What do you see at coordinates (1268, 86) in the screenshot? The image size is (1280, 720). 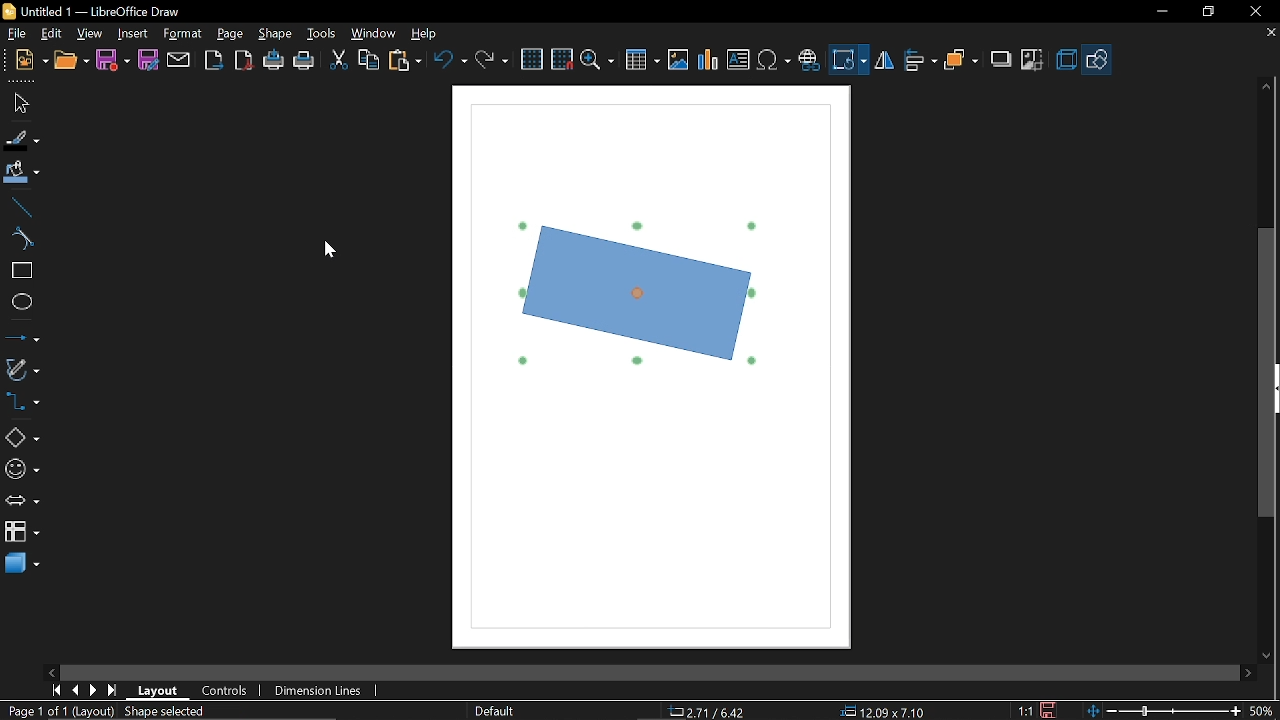 I see `Move up` at bounding box center [1268, 86].